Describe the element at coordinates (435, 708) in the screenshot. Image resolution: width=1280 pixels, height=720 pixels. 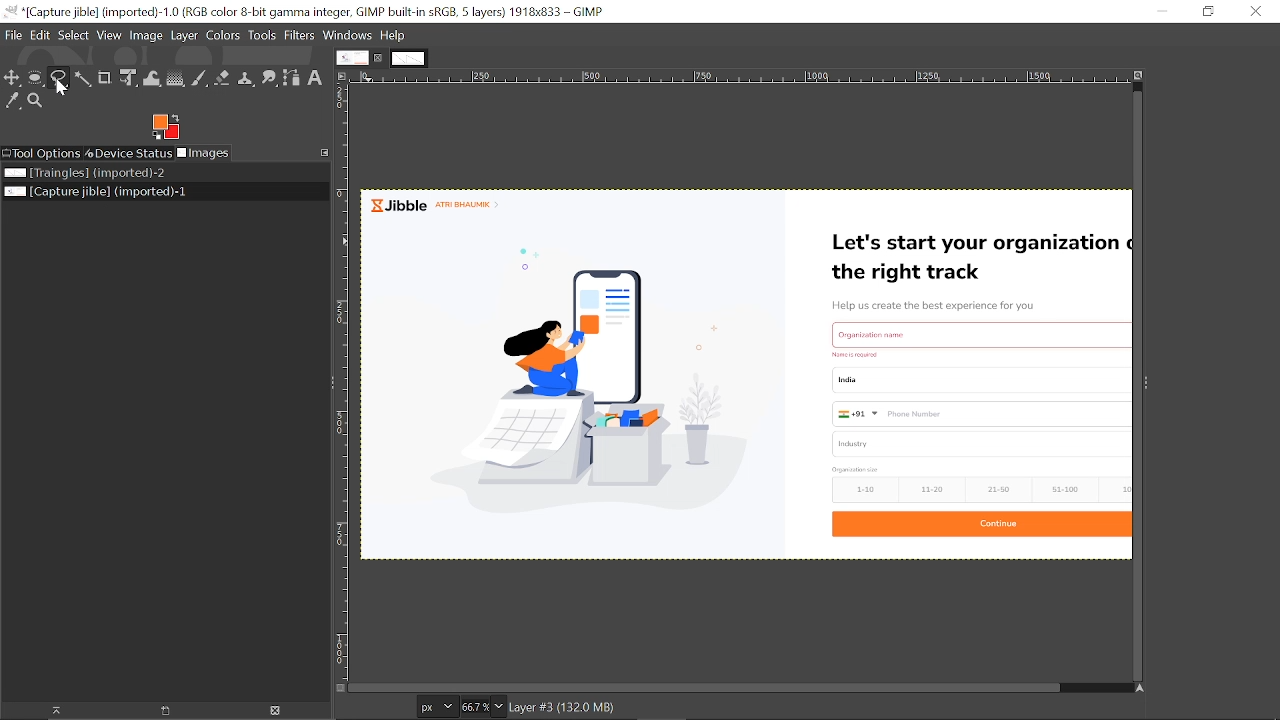
I see `Current image units` at that location.